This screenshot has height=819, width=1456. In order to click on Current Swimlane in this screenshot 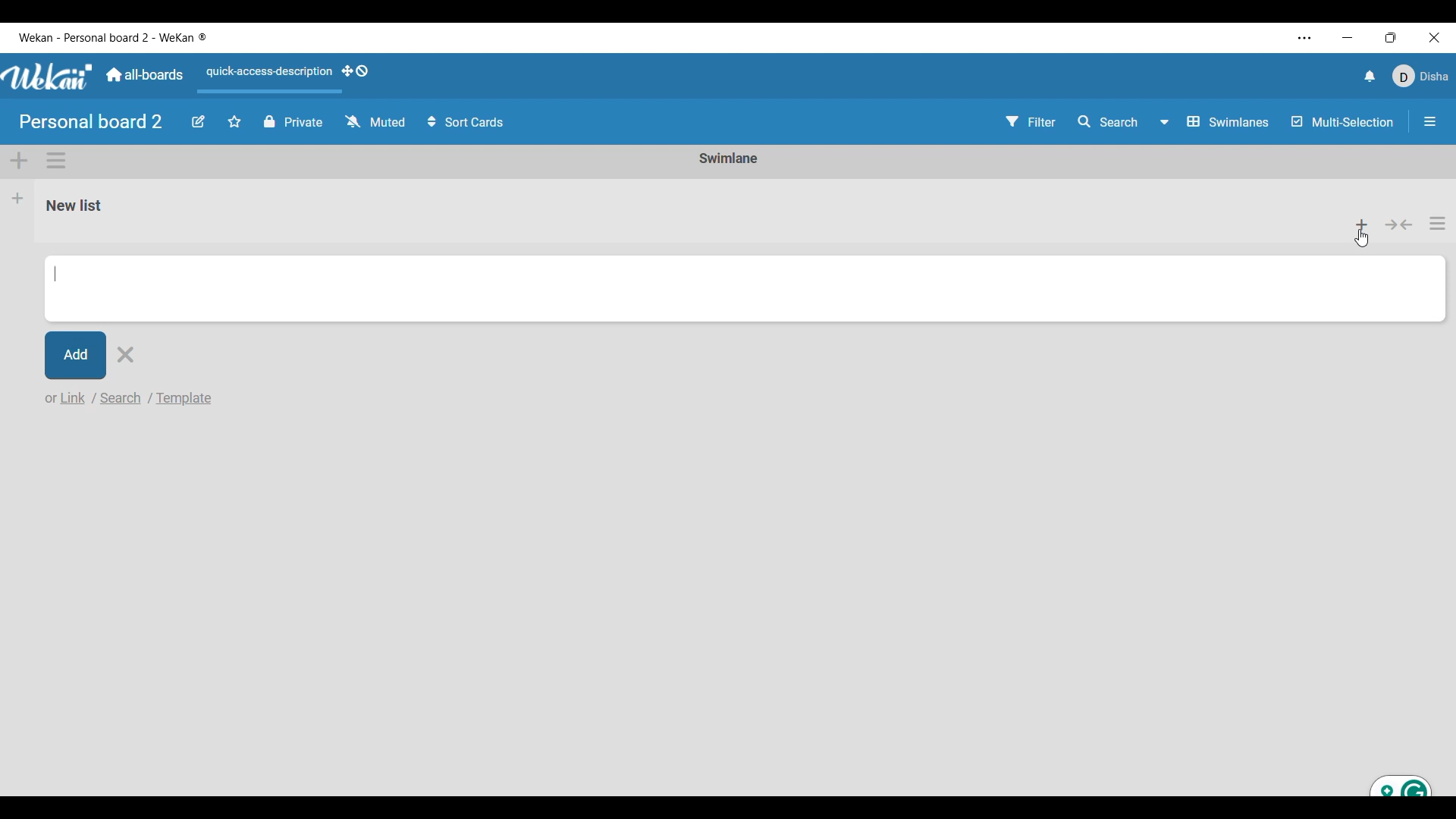, I will do `click(729, 158)`.